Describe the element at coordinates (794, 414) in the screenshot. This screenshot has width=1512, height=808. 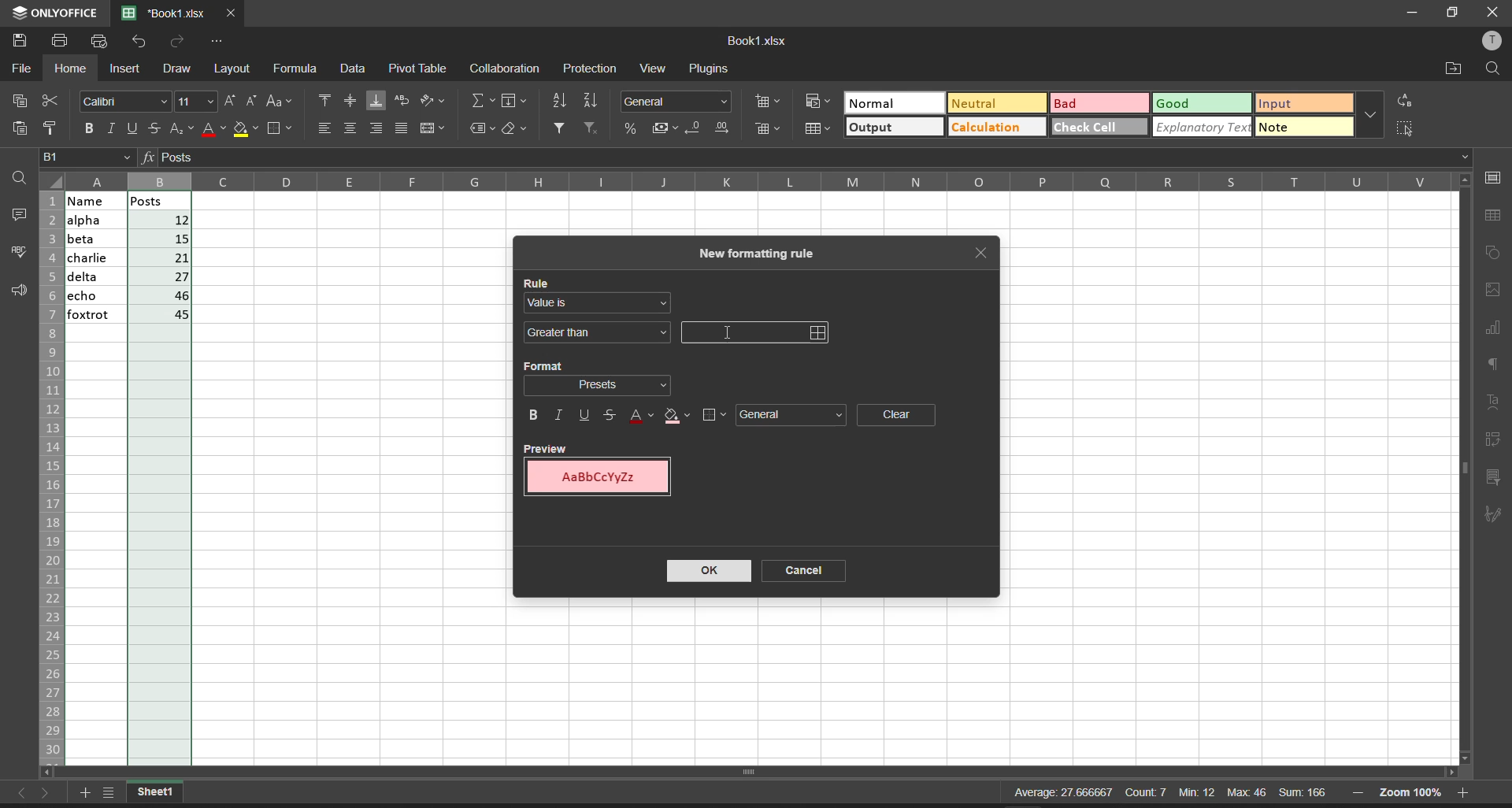
I see `general` at that location.